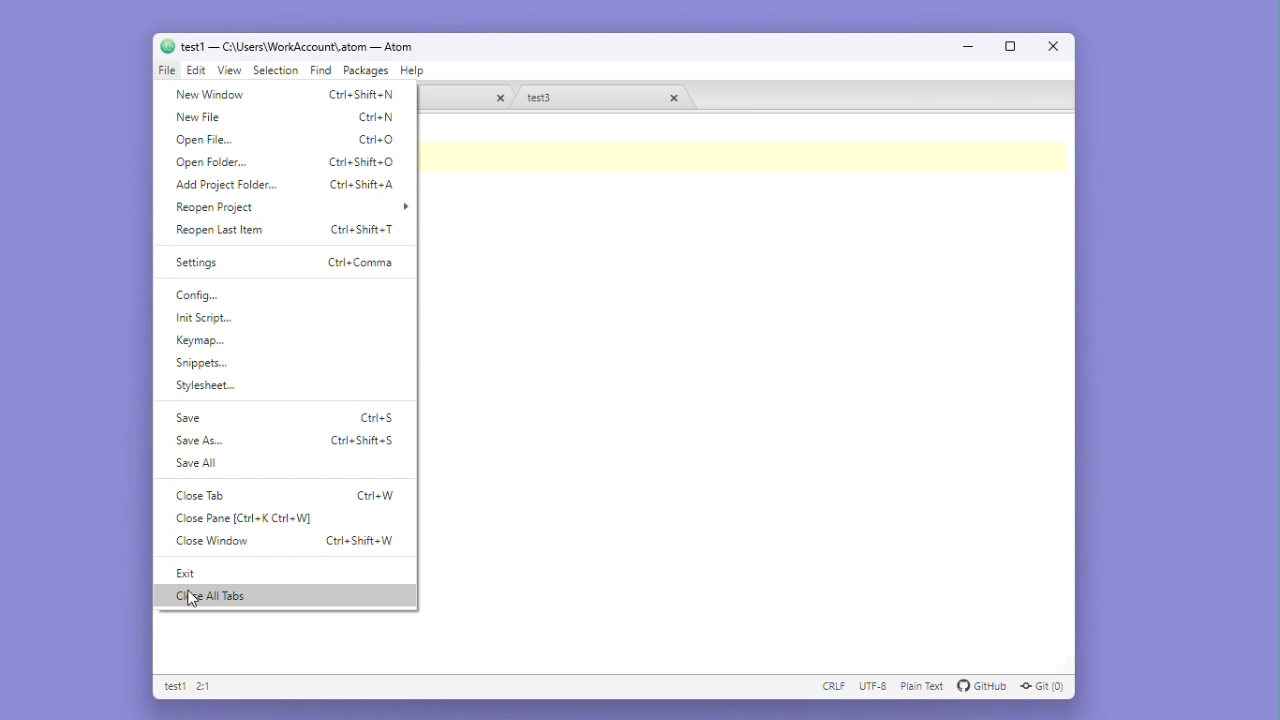  Describe the element at coordinates (365, 186) in the screenshot. I see `ctrl+shift+a` at that location.